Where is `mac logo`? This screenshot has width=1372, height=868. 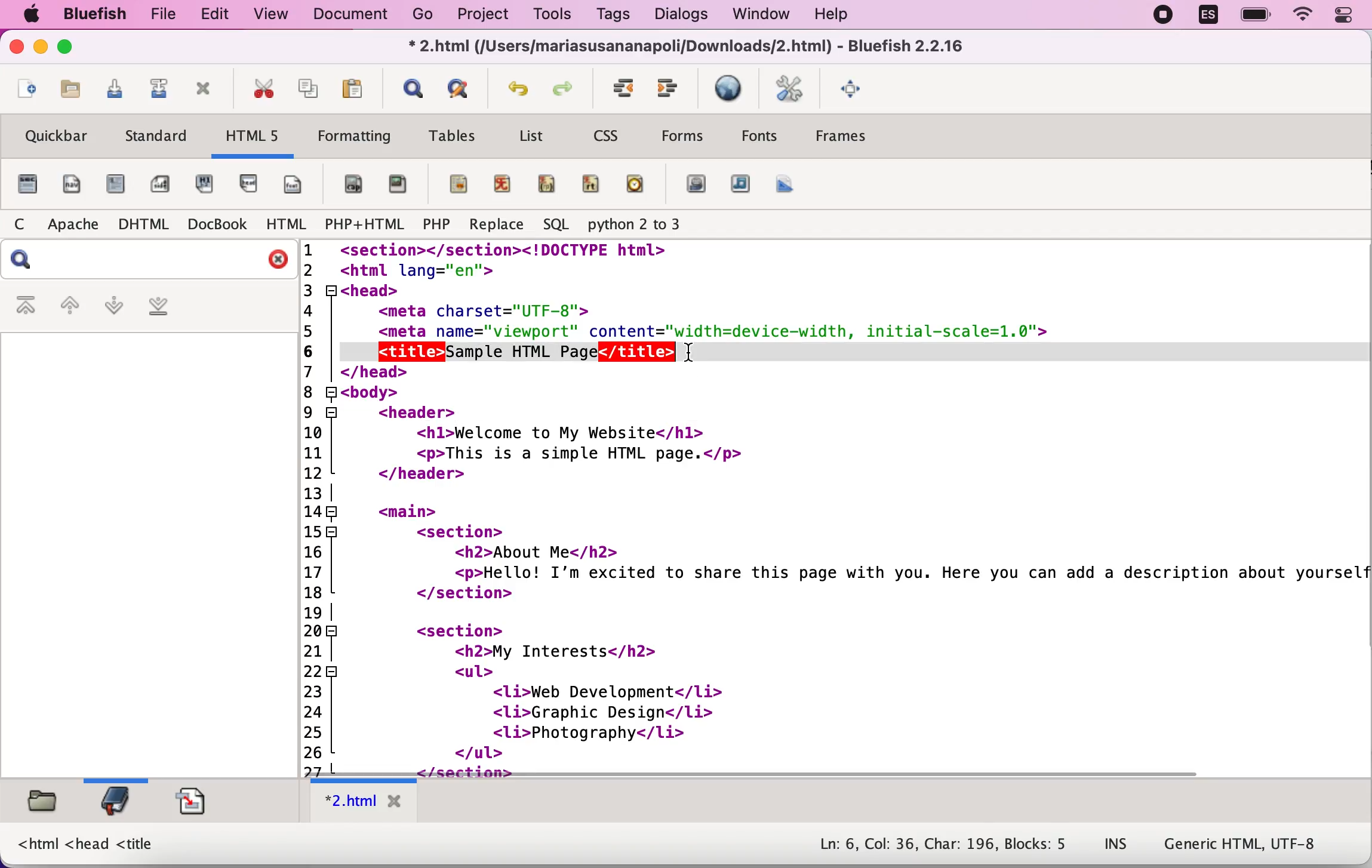 mac logo is located at coordinates (33, 14).